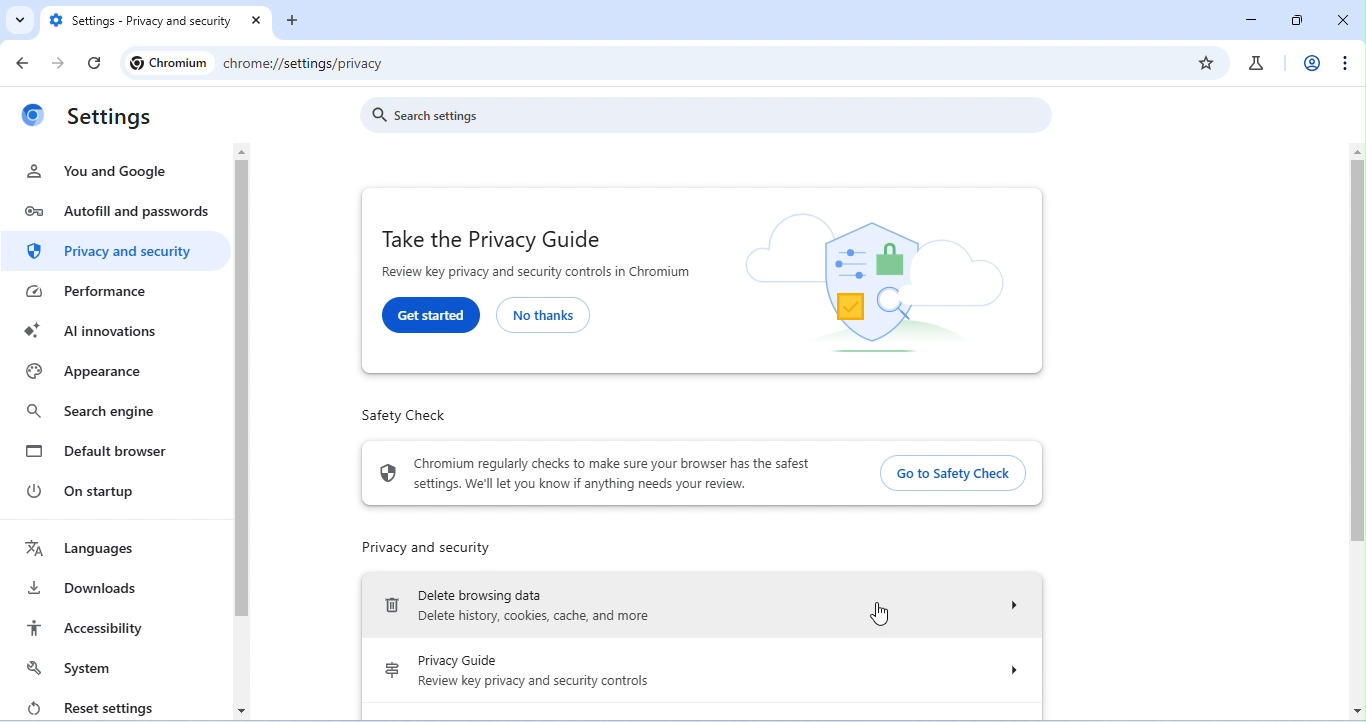  What do you see at coordinates (1343, 63) in the screenshot?
I see `customize and control chromium` at bounding box center [1343, 63].